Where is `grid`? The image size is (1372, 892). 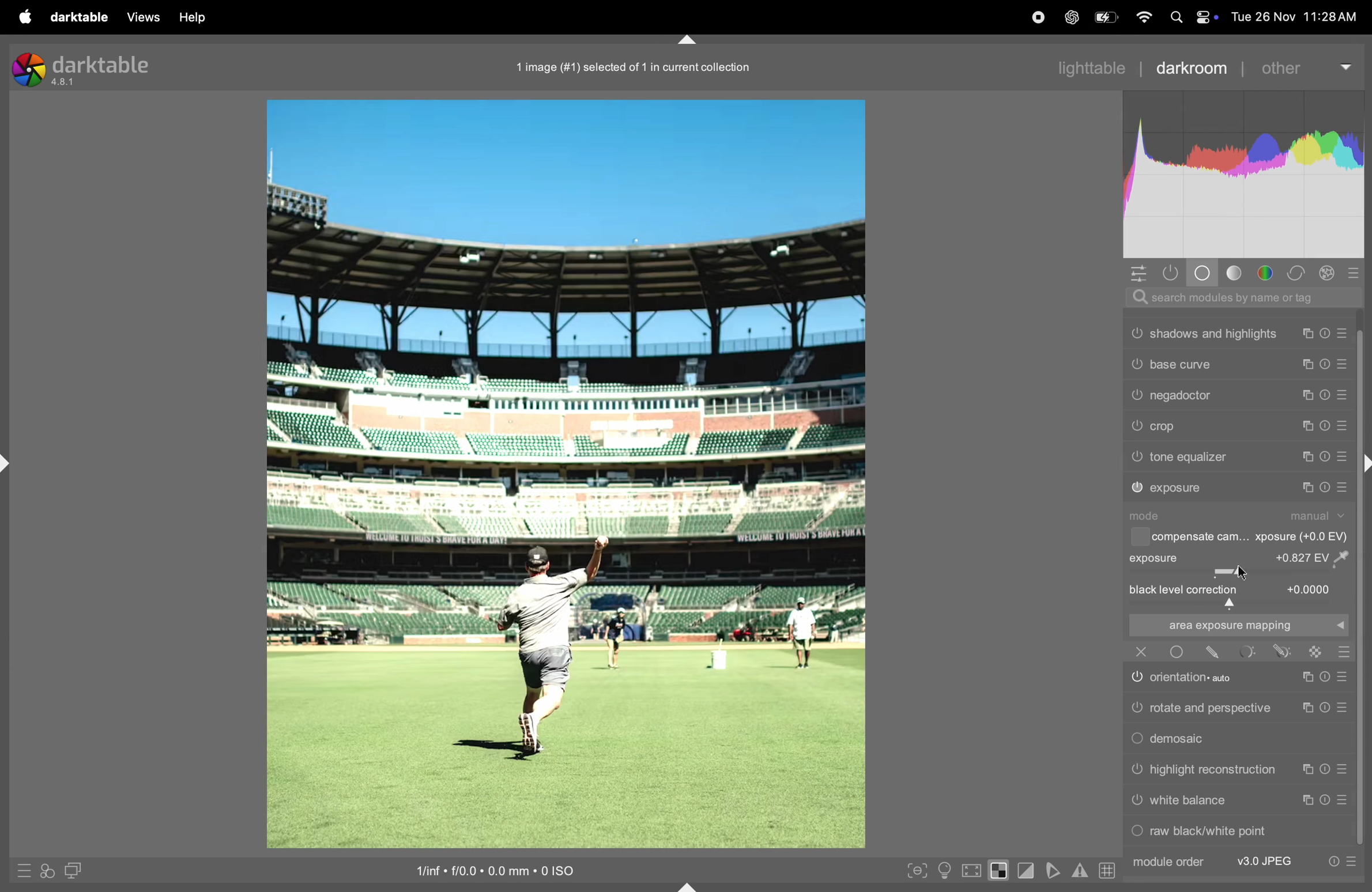
grid is located at coordinates (1105, 870).